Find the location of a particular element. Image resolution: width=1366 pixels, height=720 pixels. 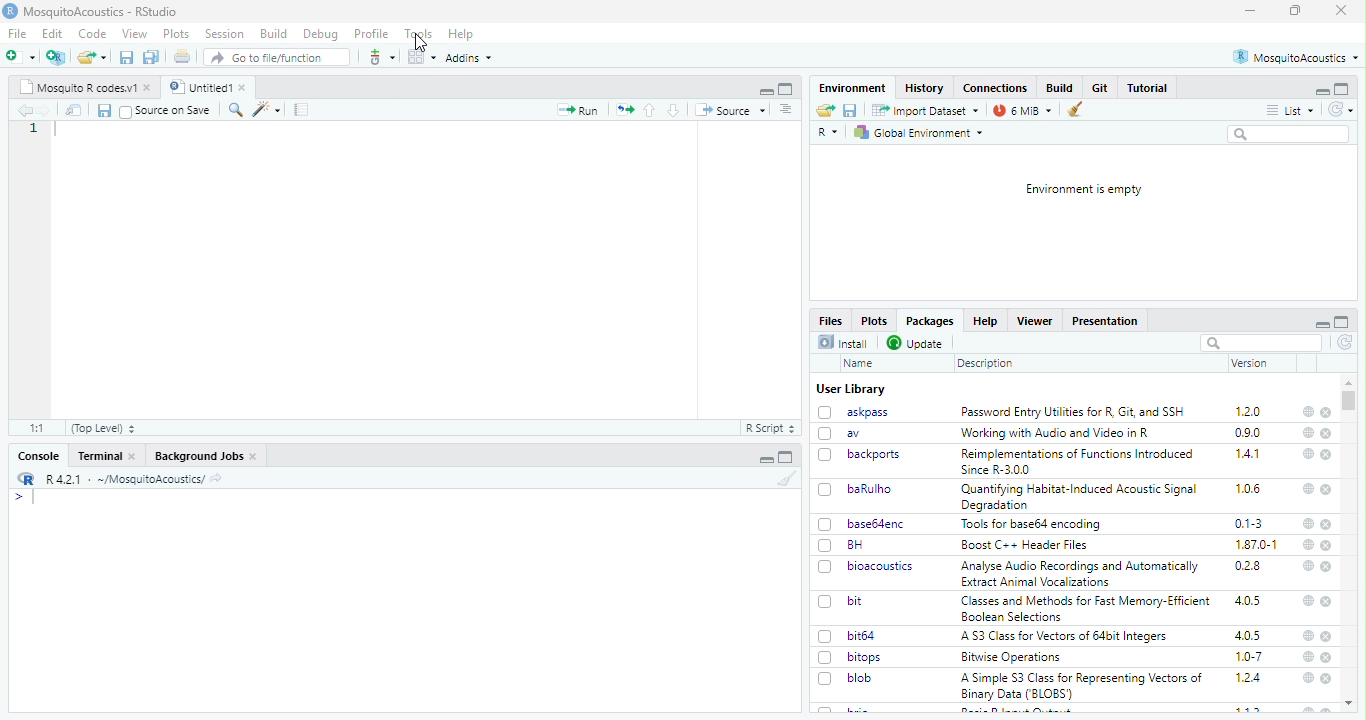

120 is located at coordinates (1249, 412).